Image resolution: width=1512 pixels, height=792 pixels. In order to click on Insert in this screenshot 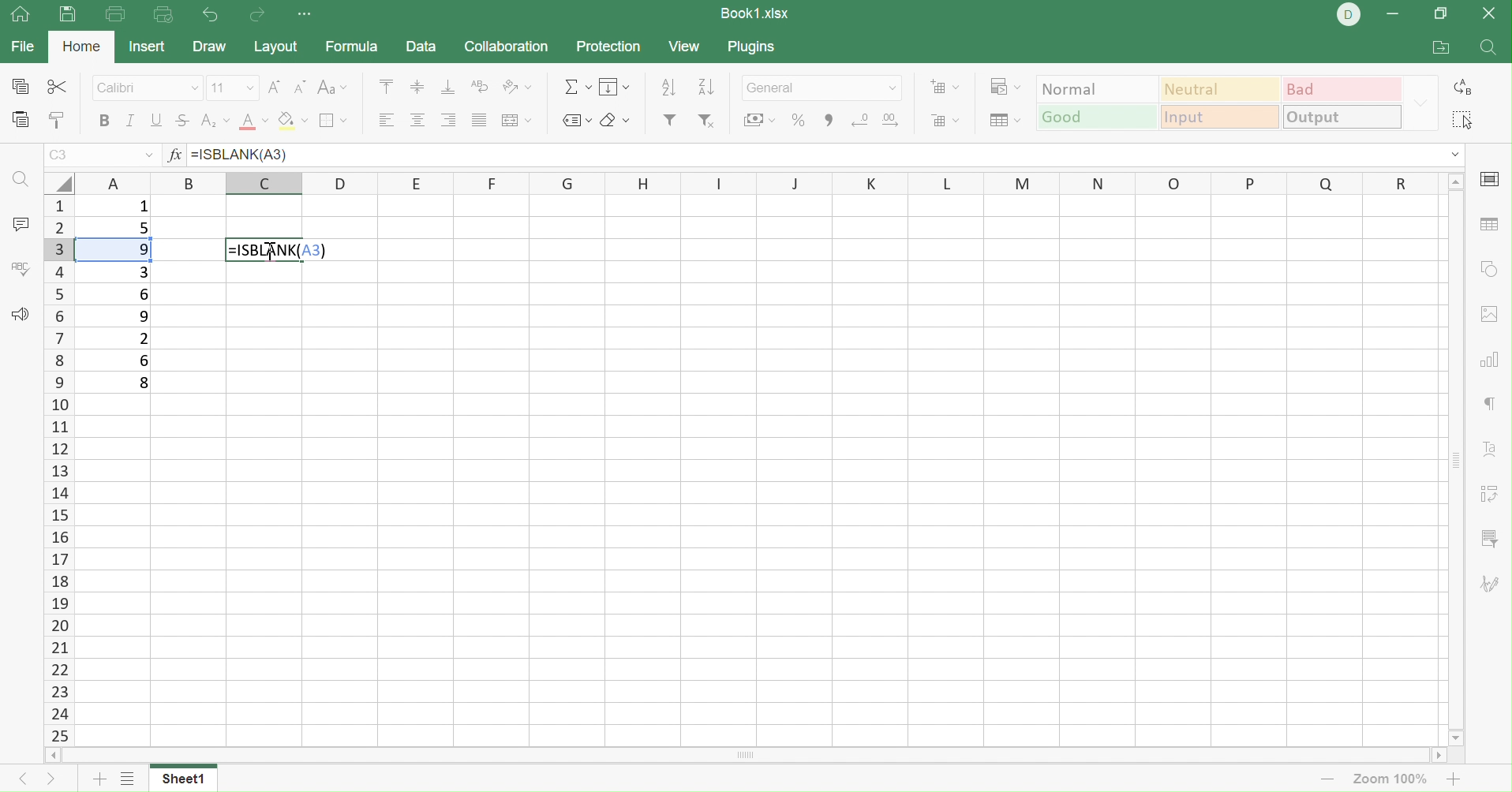, I will do `click(148, 47)`.